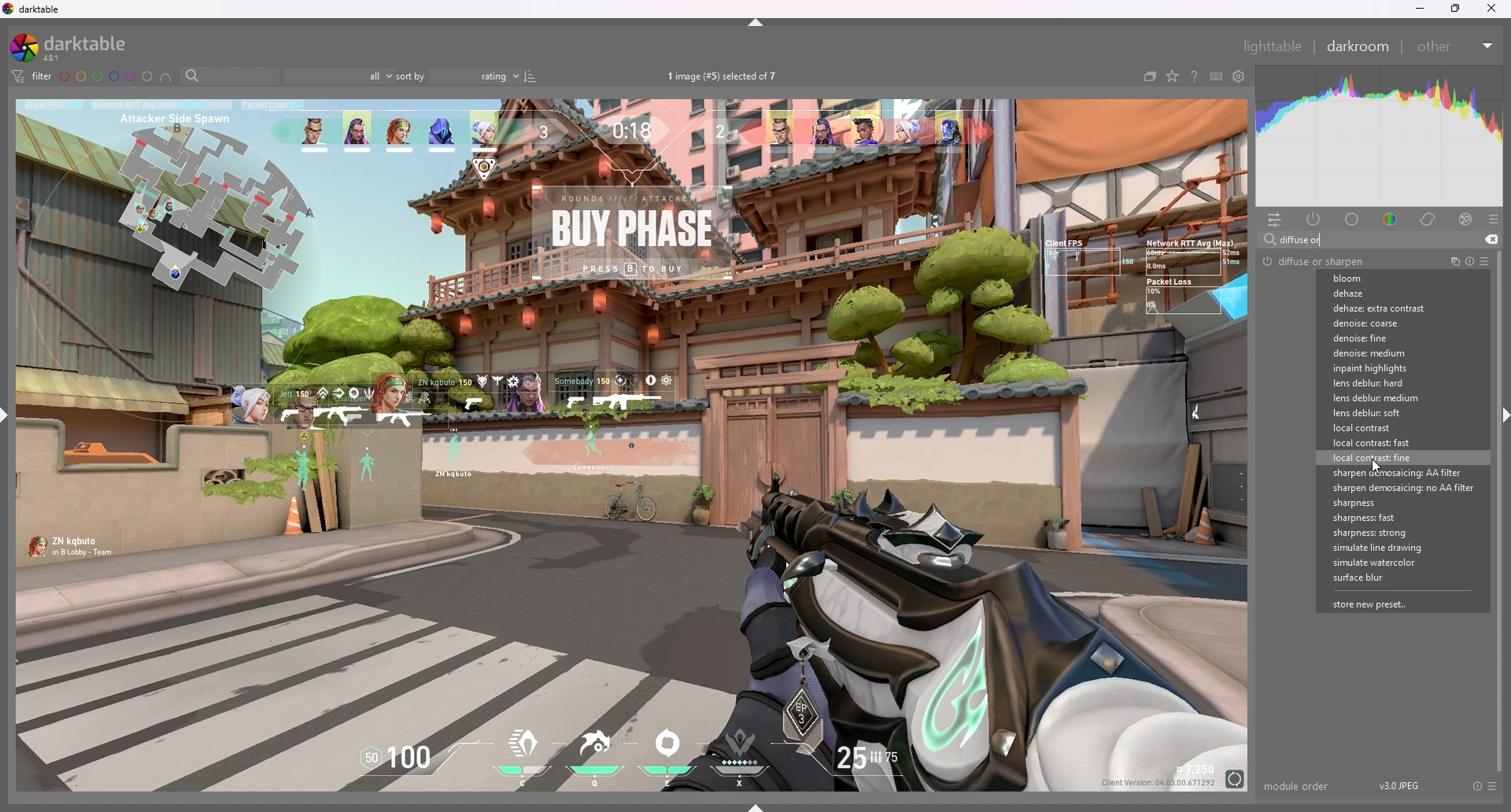 The height and width of the screenshot is (812, 1511). Describe the element at coordinates (1384, 548) in the screenshot. I see `simulate line drawing` at that location.